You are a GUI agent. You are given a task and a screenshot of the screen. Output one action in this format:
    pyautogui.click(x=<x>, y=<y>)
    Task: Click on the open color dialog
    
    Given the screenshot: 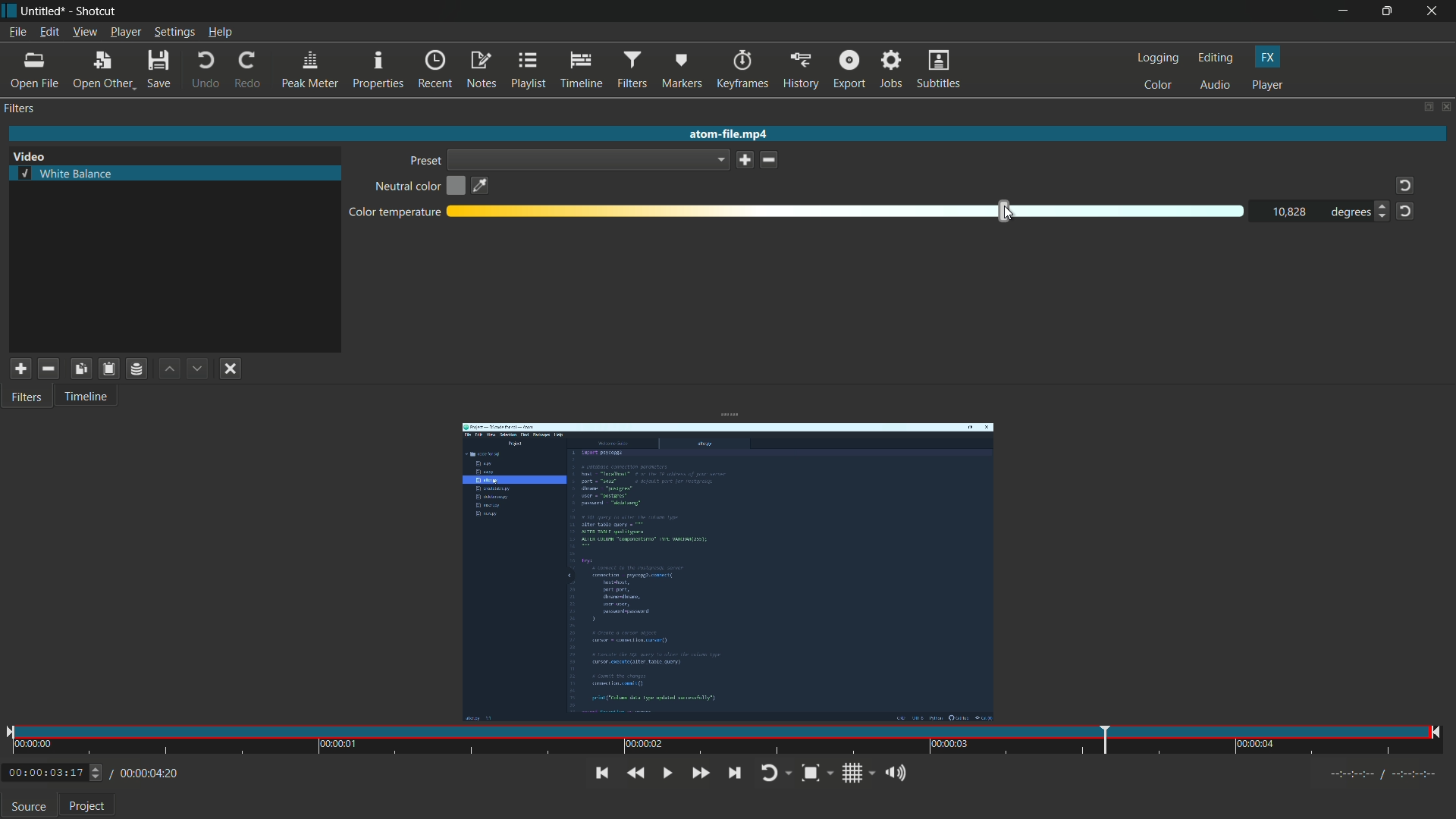 What is the action you would take?
    pyautogui.click(x=457, y=187)
    